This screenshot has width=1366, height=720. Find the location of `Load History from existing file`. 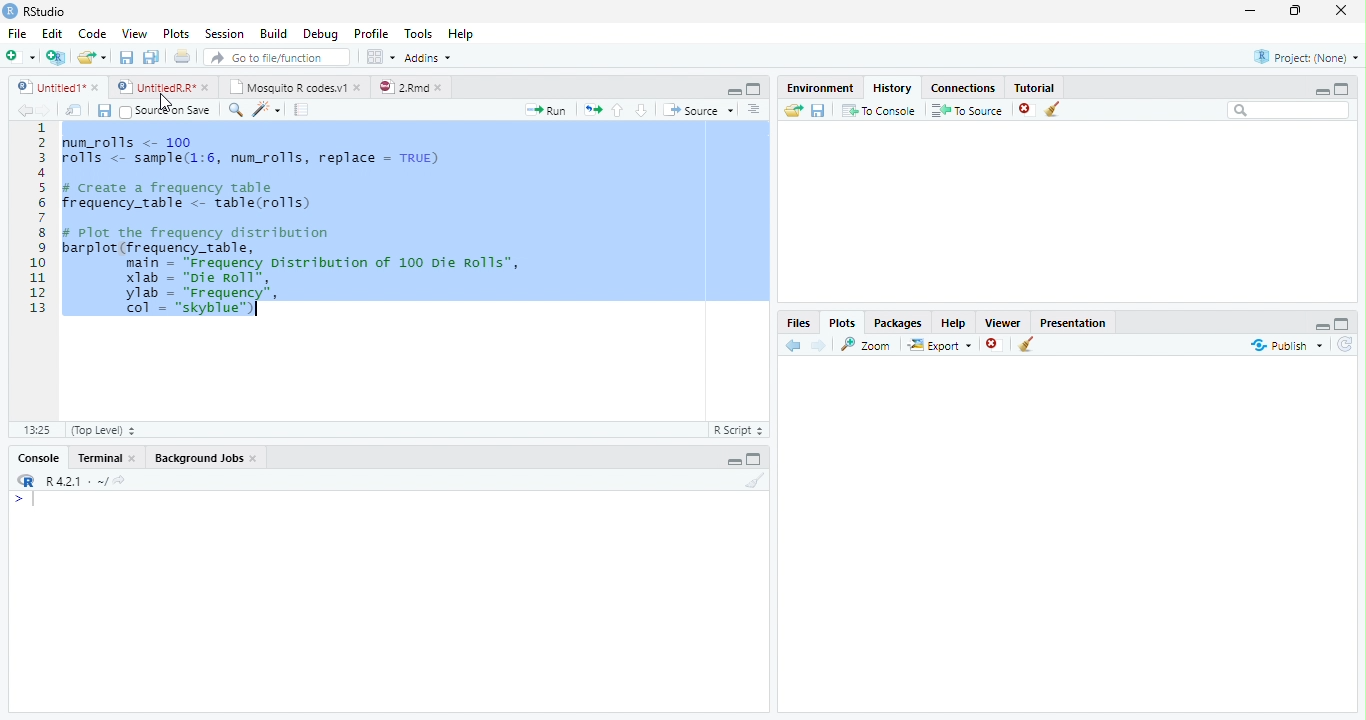

Load History from existing file is located at coordinates (793, 110).